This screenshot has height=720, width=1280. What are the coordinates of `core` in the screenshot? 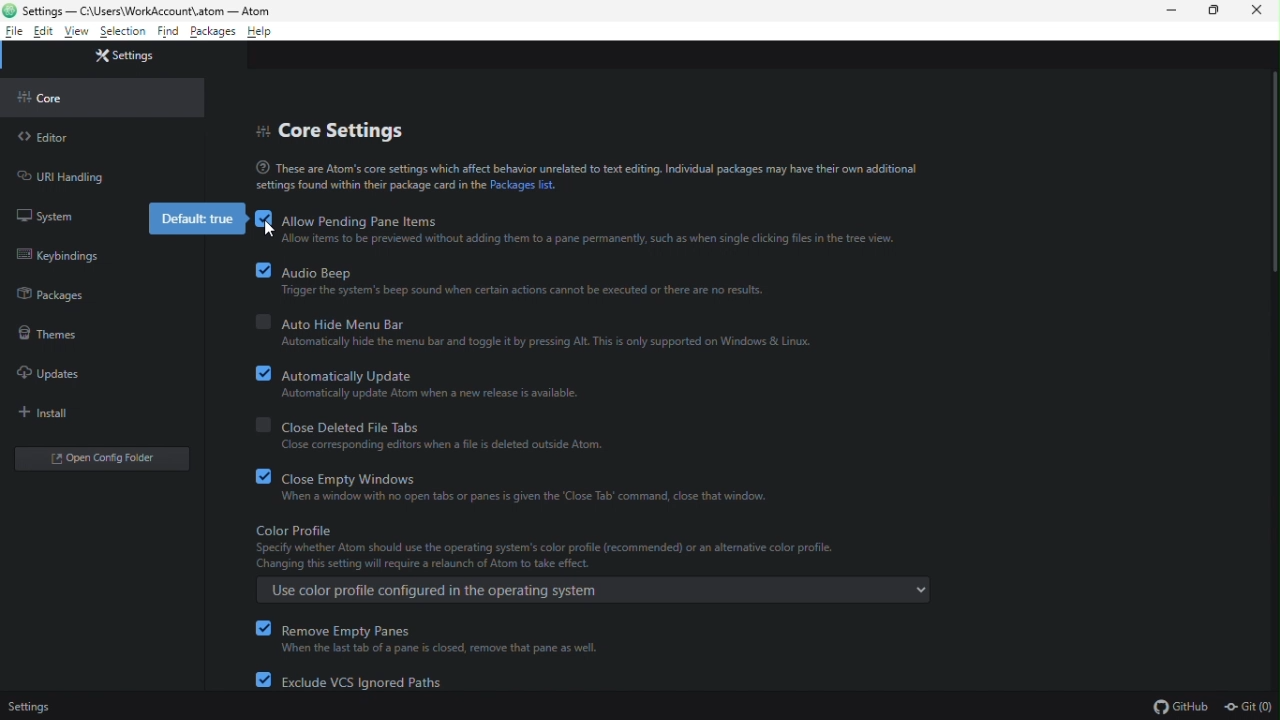 It's located at (57, 98).